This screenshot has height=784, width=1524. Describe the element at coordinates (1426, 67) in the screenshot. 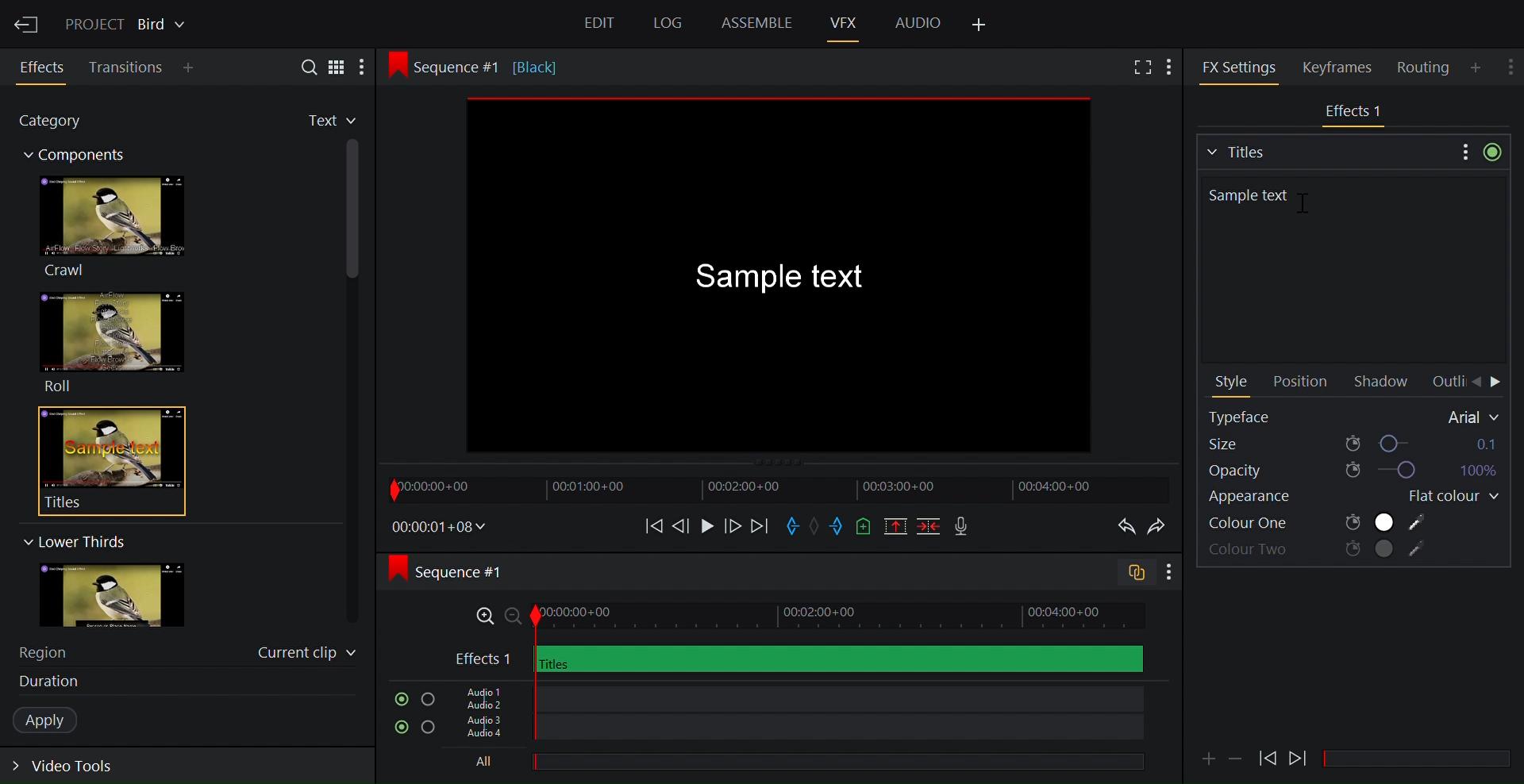

I see `Routing` at that location.